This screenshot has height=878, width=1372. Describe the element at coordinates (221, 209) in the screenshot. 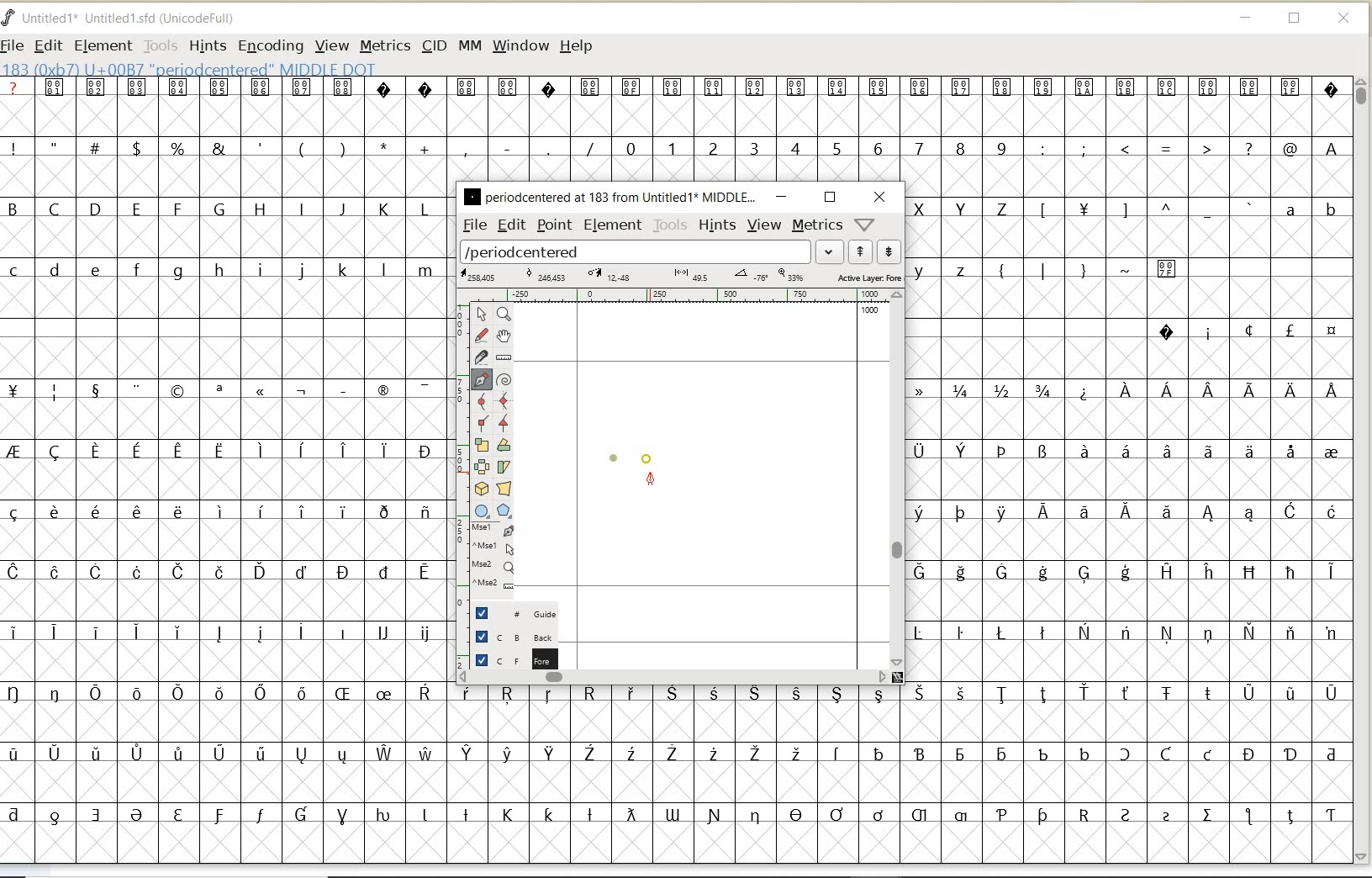

I see `uppercase letters` at that location.